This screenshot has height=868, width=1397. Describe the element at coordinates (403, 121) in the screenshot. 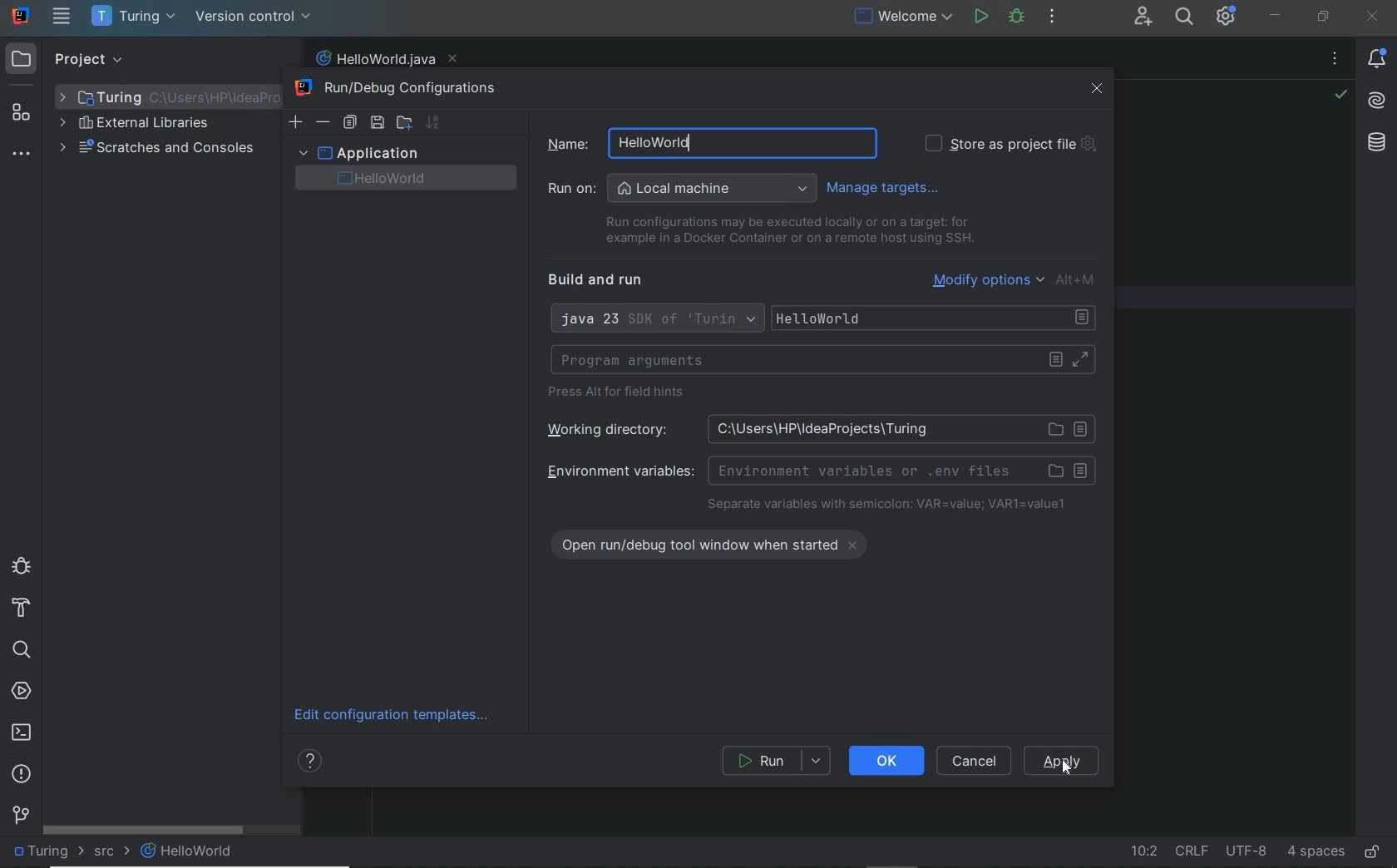

I see `CREATE NEW FOLDER` at that location.